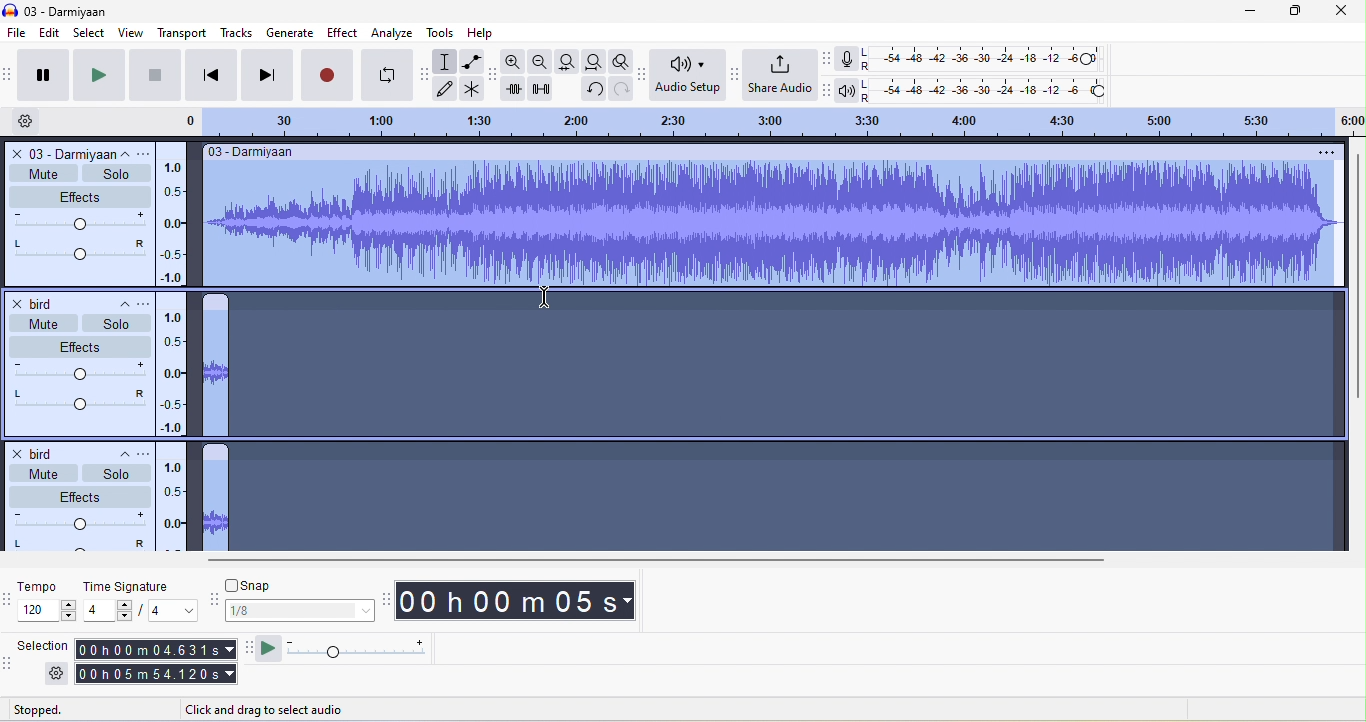 The height and width of the screenshot is (722, 1366). Describe the element at coordinates (1289, 11) in the screenshot. I see `maximize` at that location.